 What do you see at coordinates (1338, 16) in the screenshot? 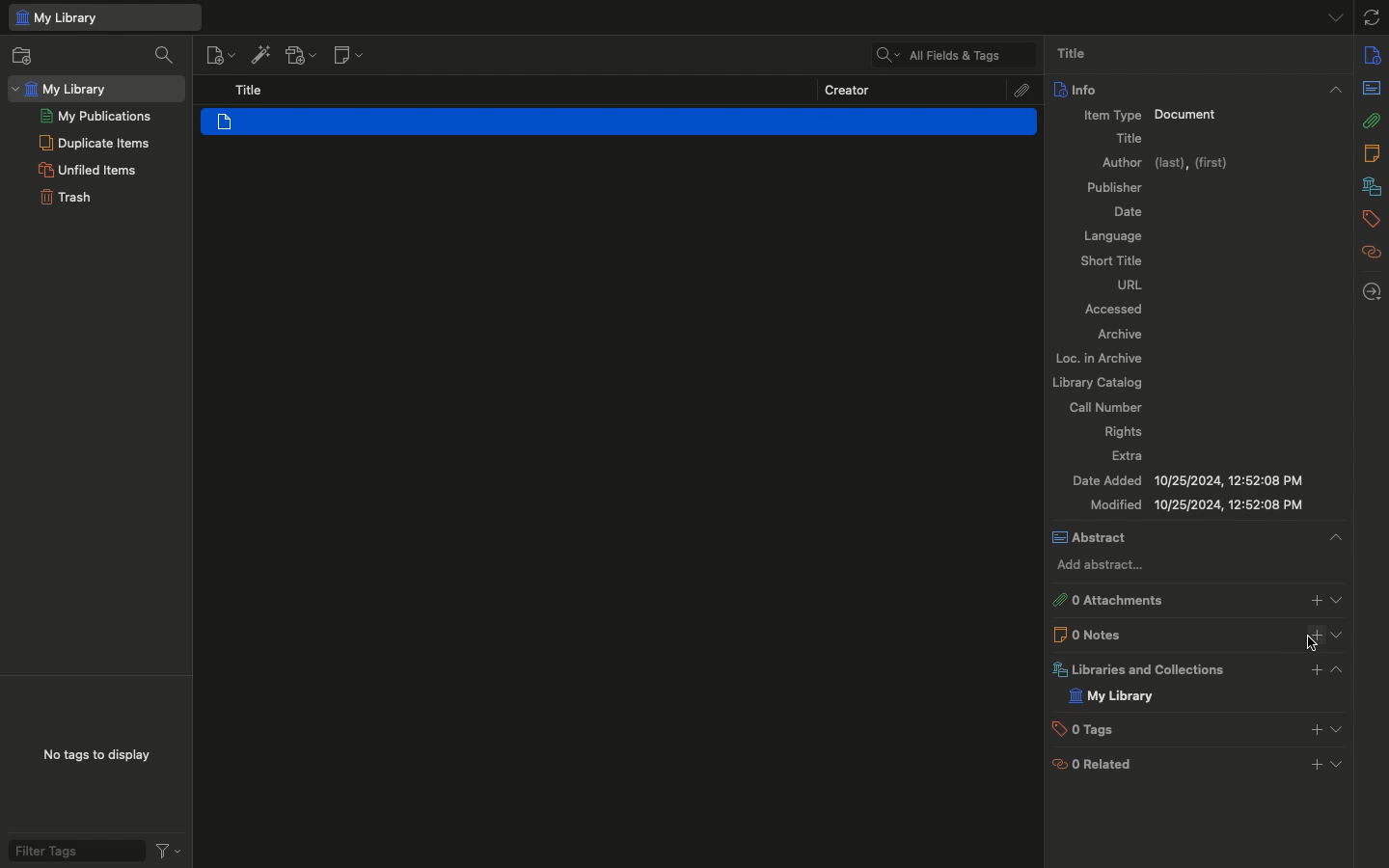
I see `Hide` at bounding box center [1338, 16].